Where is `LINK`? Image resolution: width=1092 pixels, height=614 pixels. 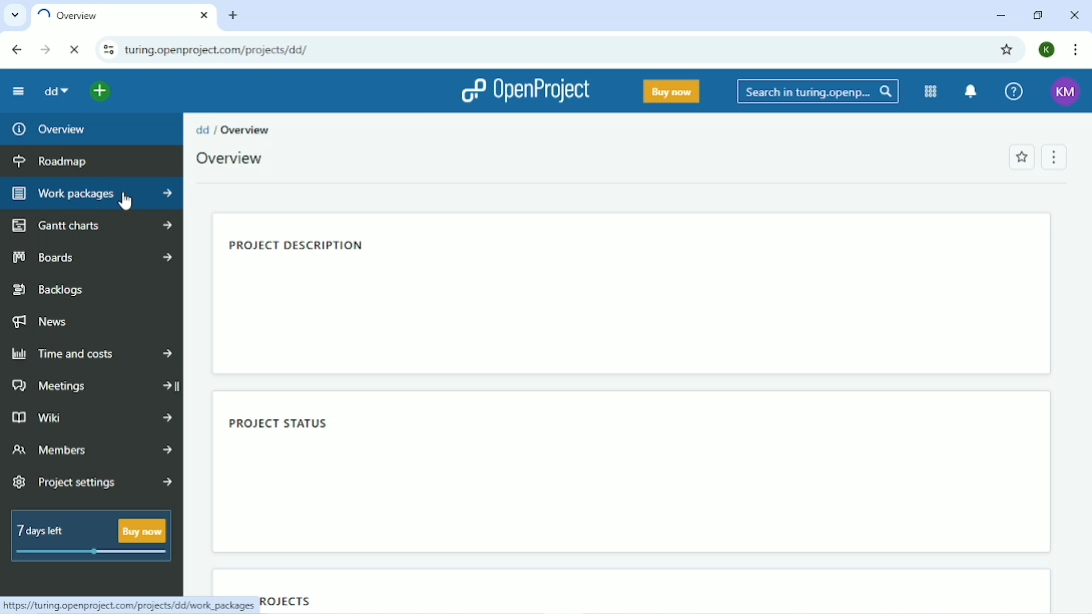
LINK is located at coordinates (128, 605).